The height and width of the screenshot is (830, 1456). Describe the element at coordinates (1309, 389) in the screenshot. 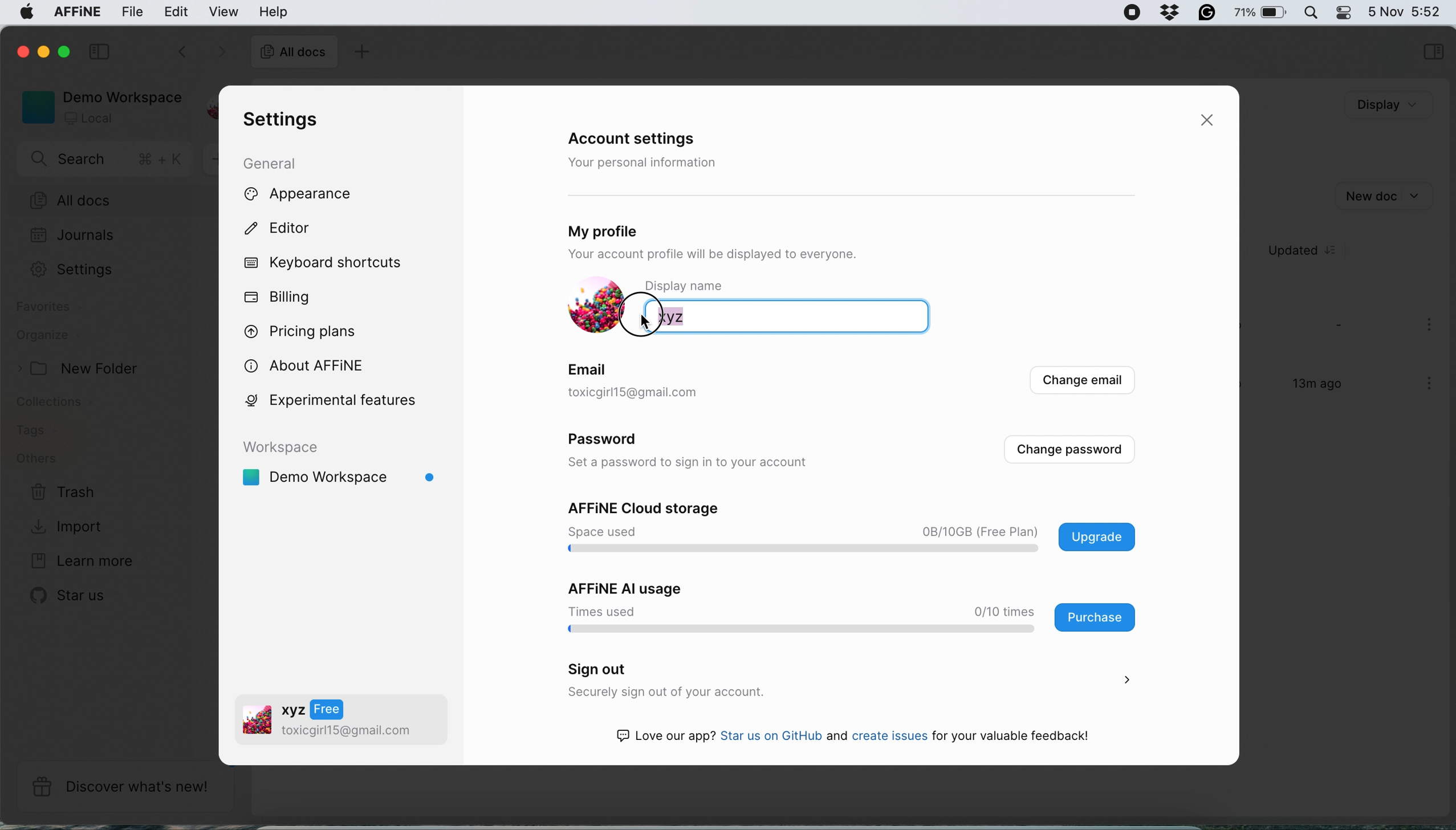

I see `13m ago` at that location.